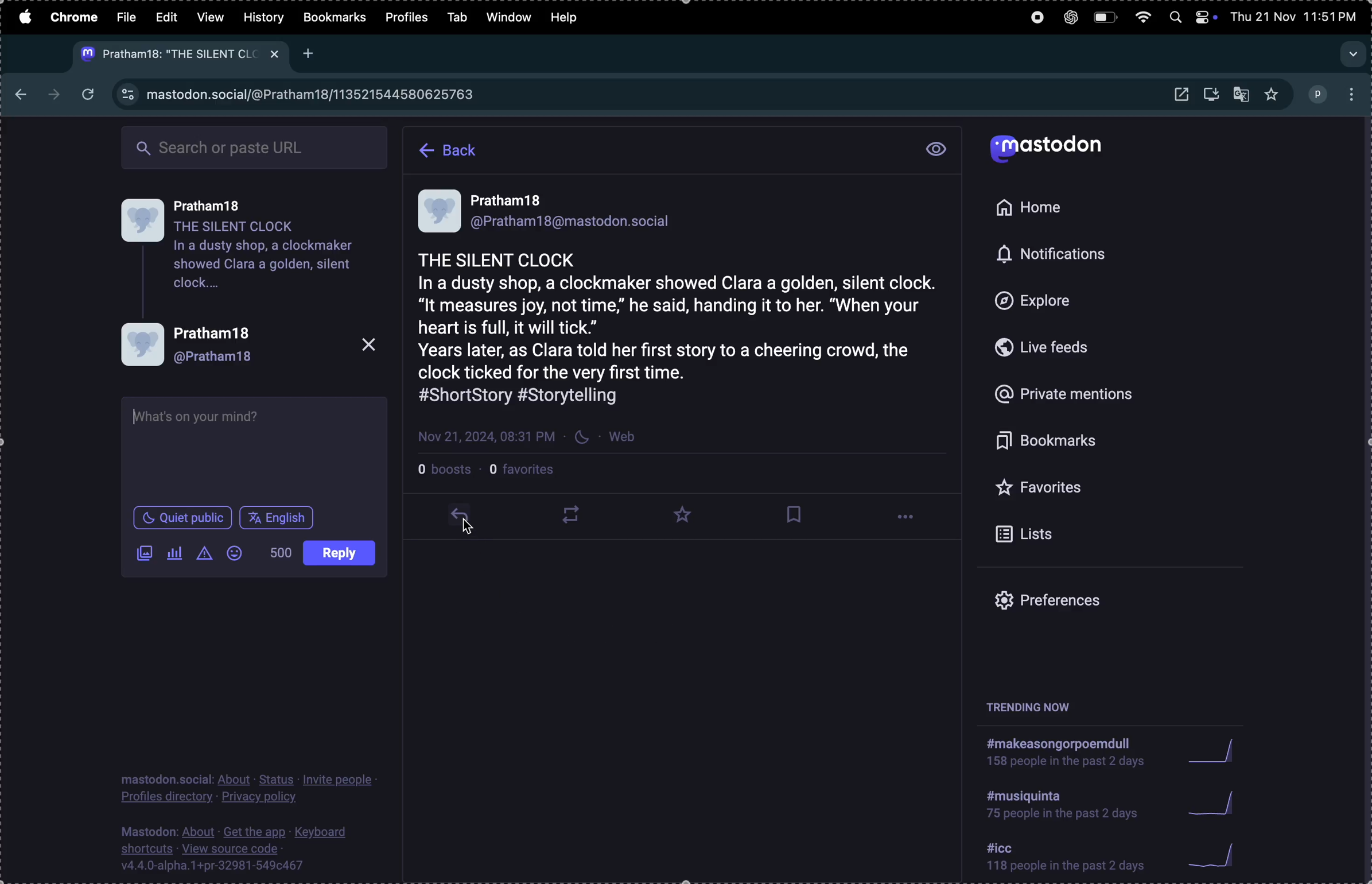 The height and width of the screenshot is (884, 1372). Describe the element at coordinates (910, 519) in the screenshot. I see `options` at that location.